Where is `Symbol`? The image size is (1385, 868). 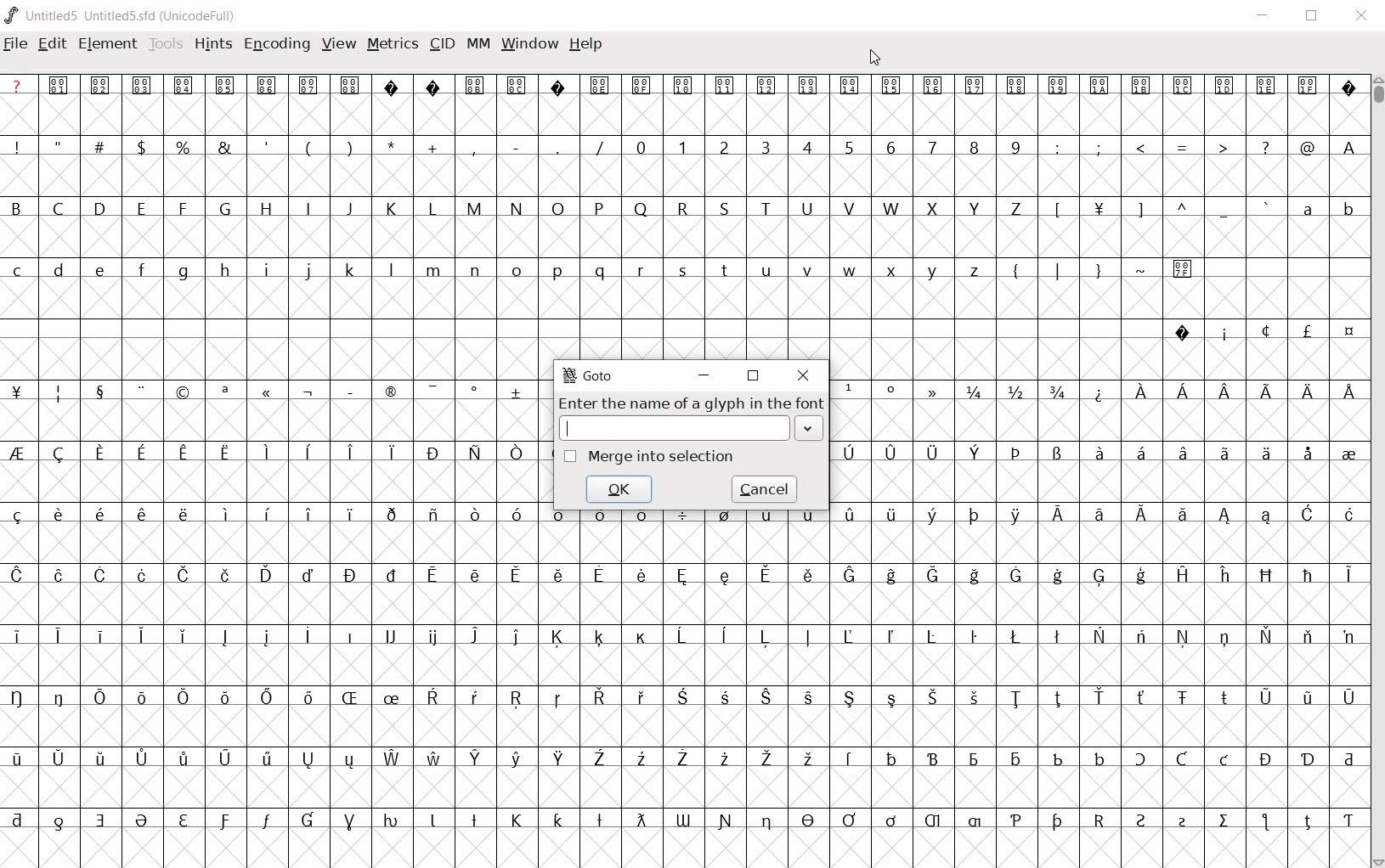
Symbol is located at coordinates (1142, 820).